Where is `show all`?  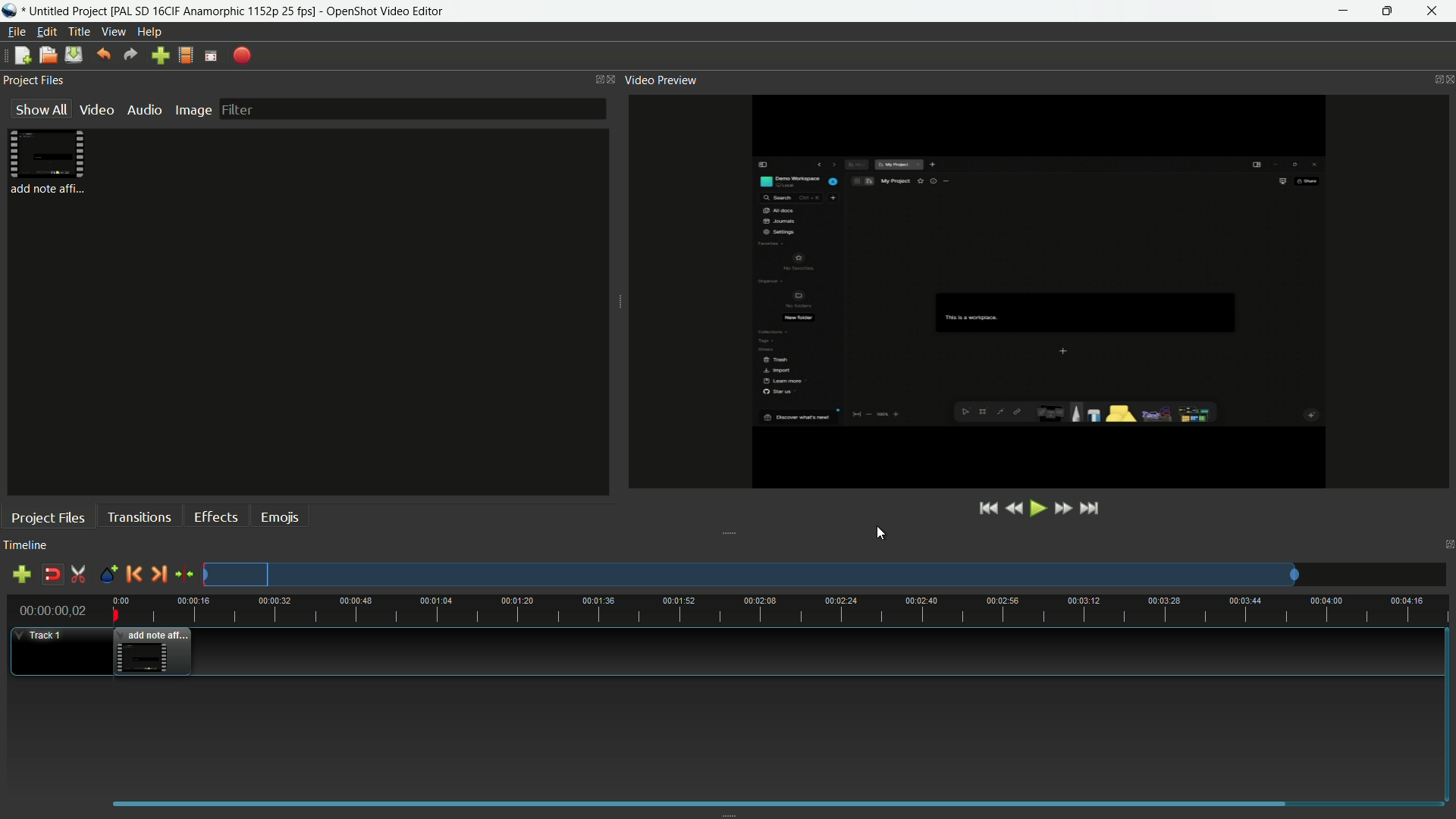
show all is located at coordinates (38, 109).